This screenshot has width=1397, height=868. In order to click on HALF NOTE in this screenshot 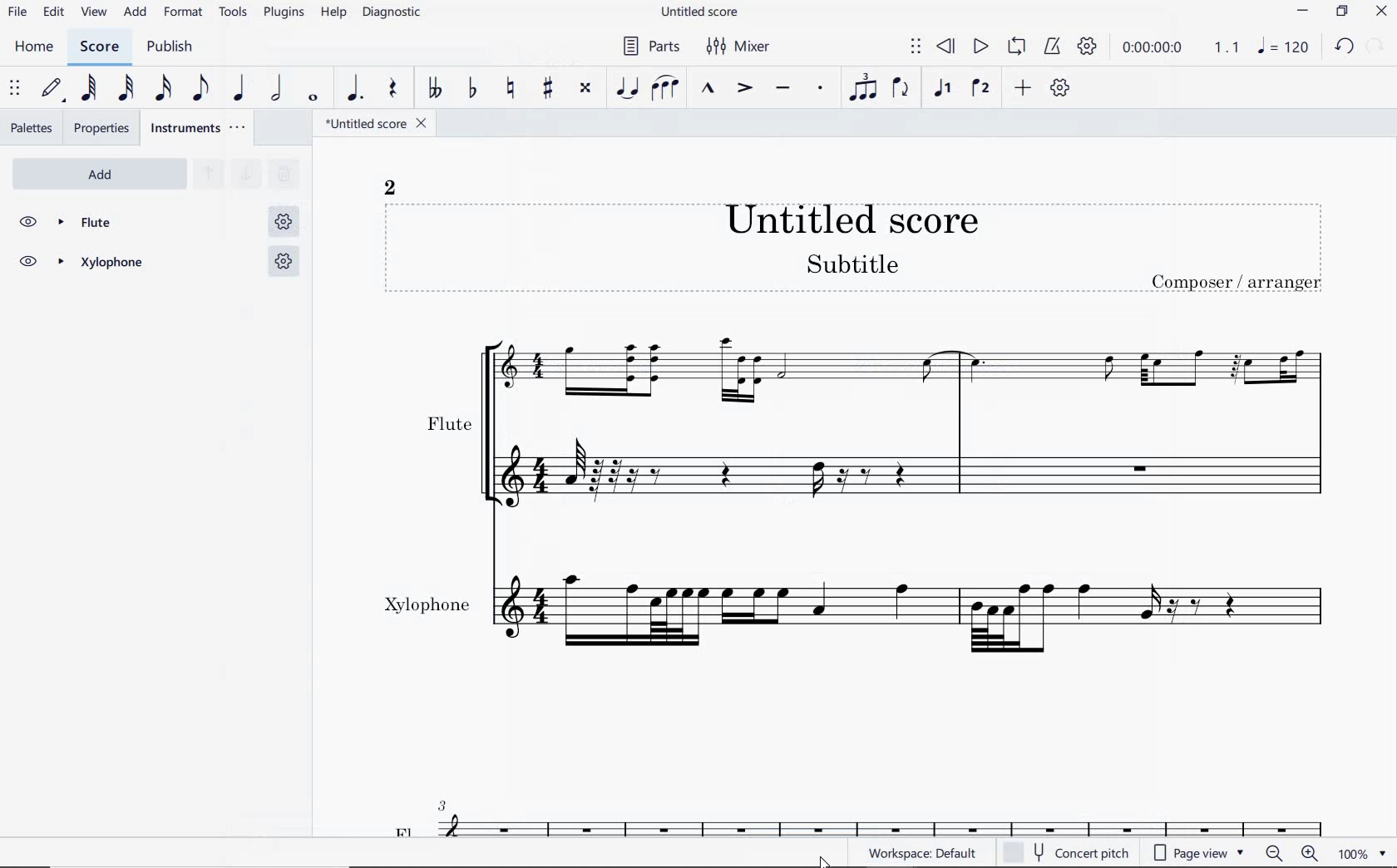, I will do `click(275, 89)`.